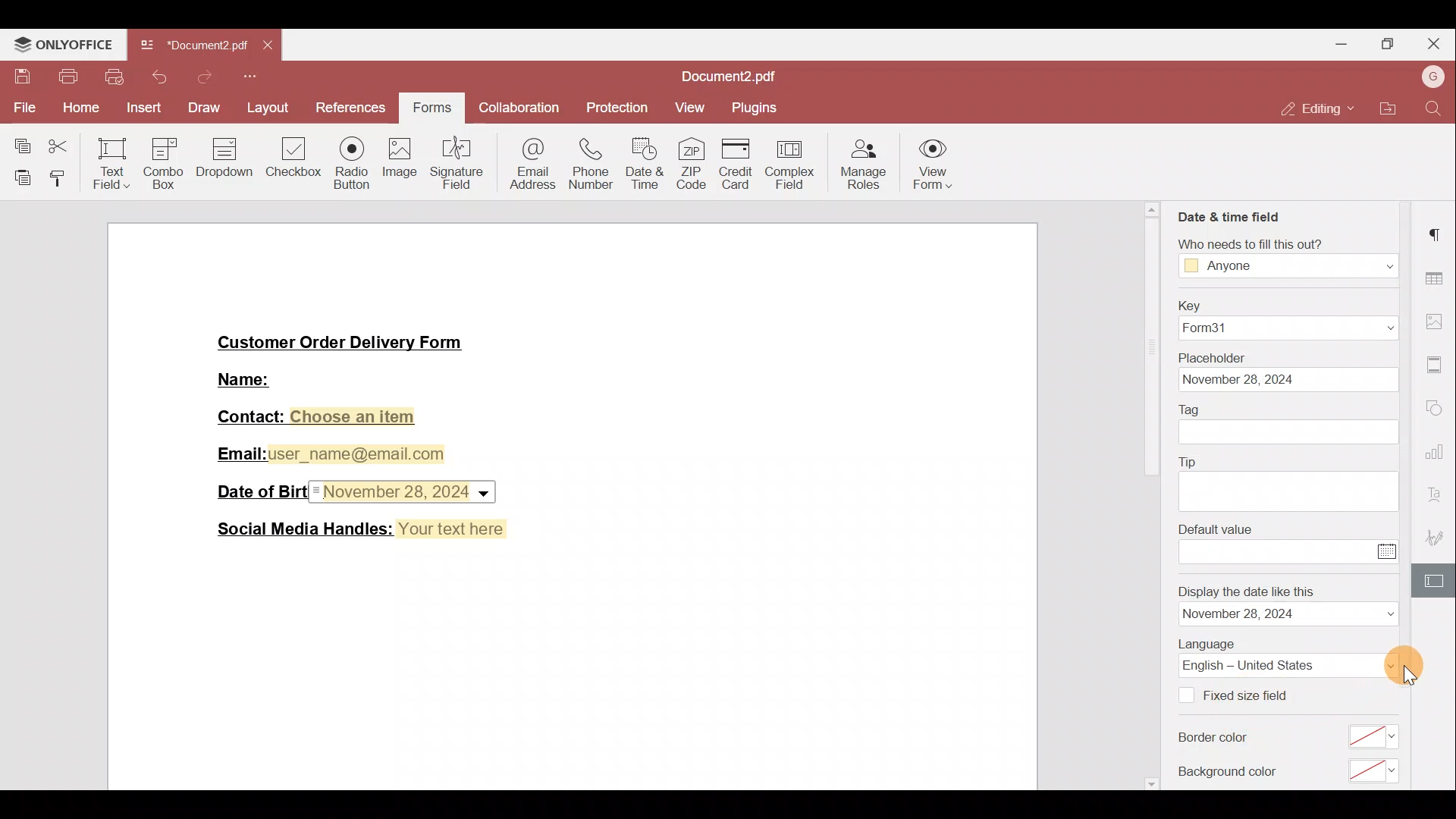 The width and height of the screenshot is (1456, 819). I want to click on Text field, so click(110, 163).